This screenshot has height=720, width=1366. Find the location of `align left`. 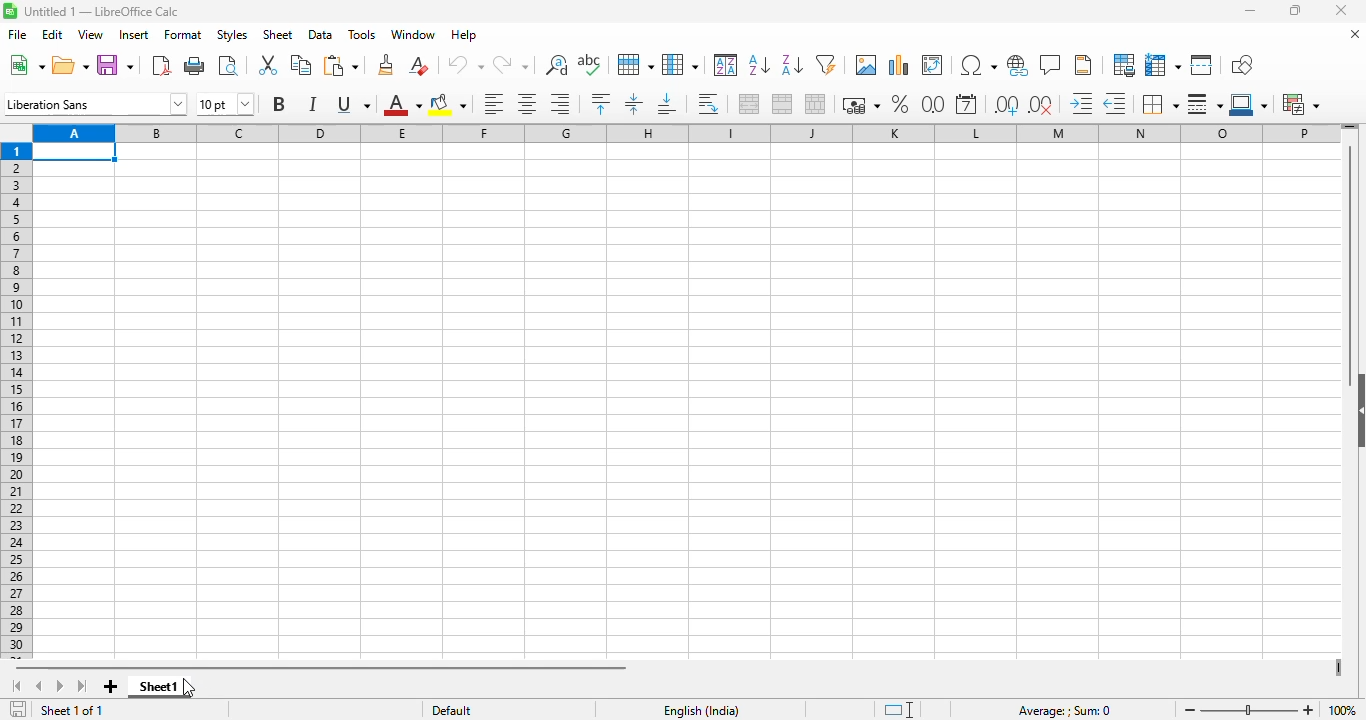

align left is located at coordinates (495, 104).